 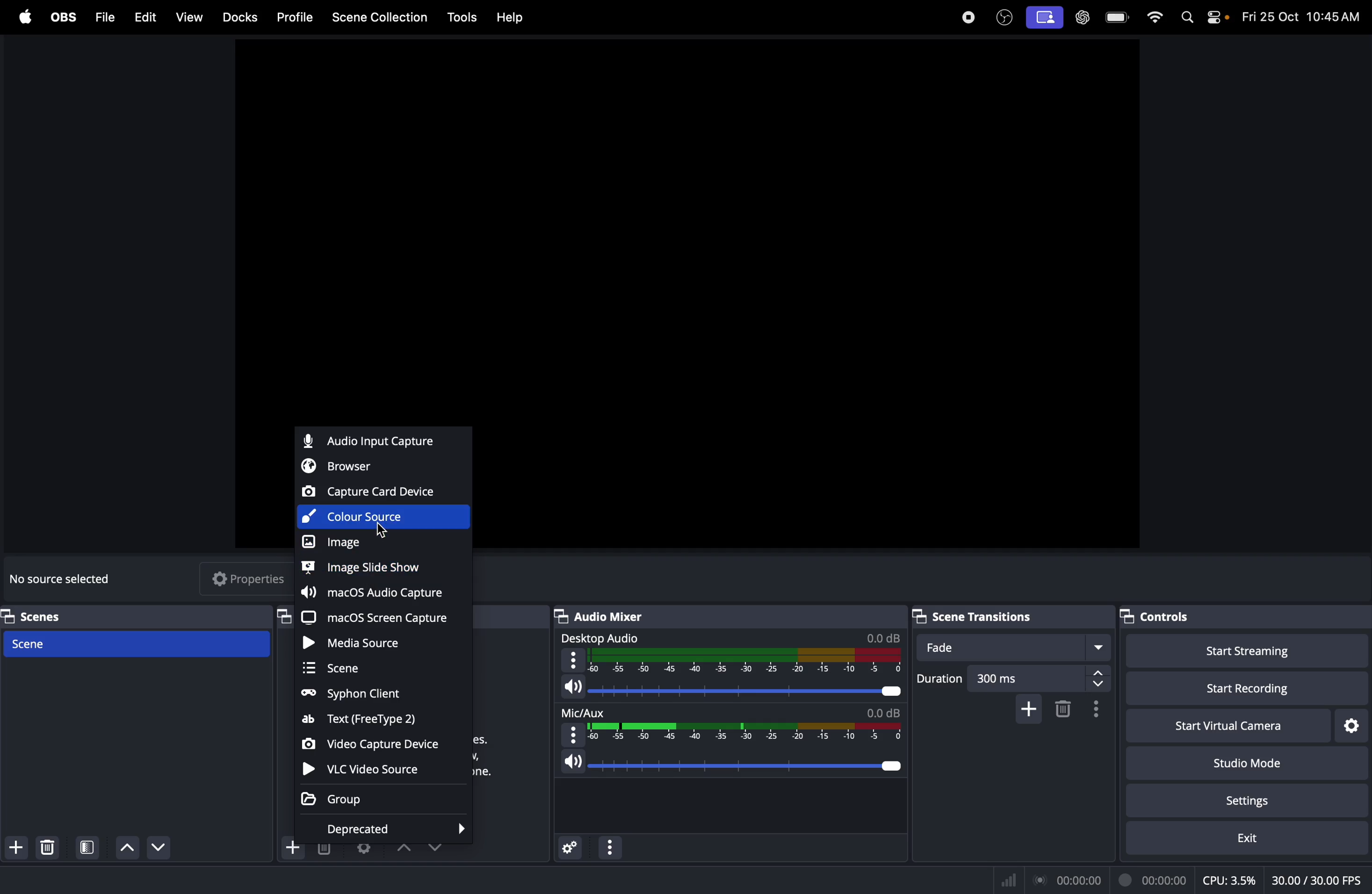 What do you see at coordinates (439, 848) in the screenshot?
I see `drop down` at bounding box center [439, 848].